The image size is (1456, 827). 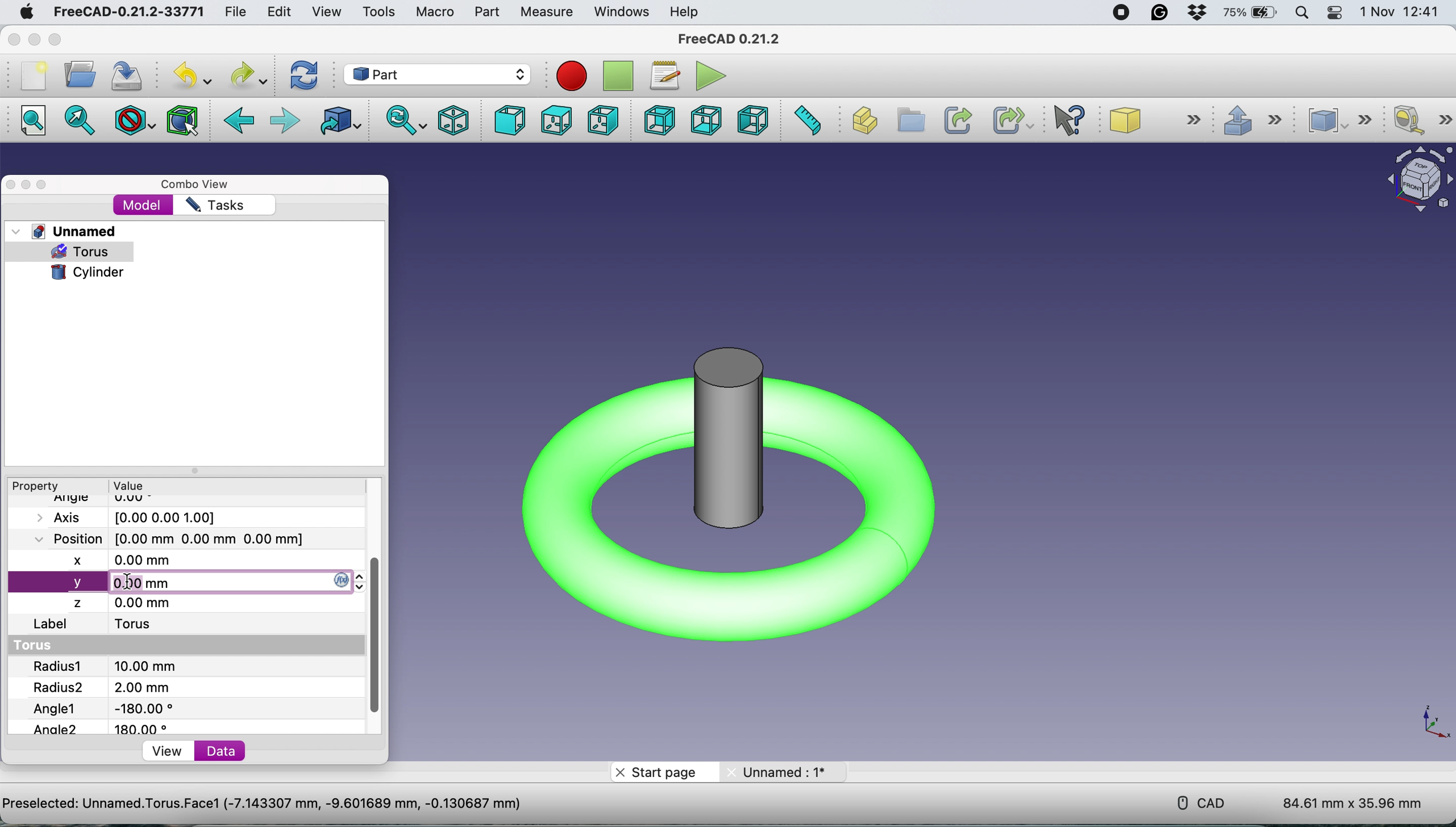 What do you see at coordinates (1415, 182) in the screenshot?
I see `object interface` at bounding box center [1415, 182].